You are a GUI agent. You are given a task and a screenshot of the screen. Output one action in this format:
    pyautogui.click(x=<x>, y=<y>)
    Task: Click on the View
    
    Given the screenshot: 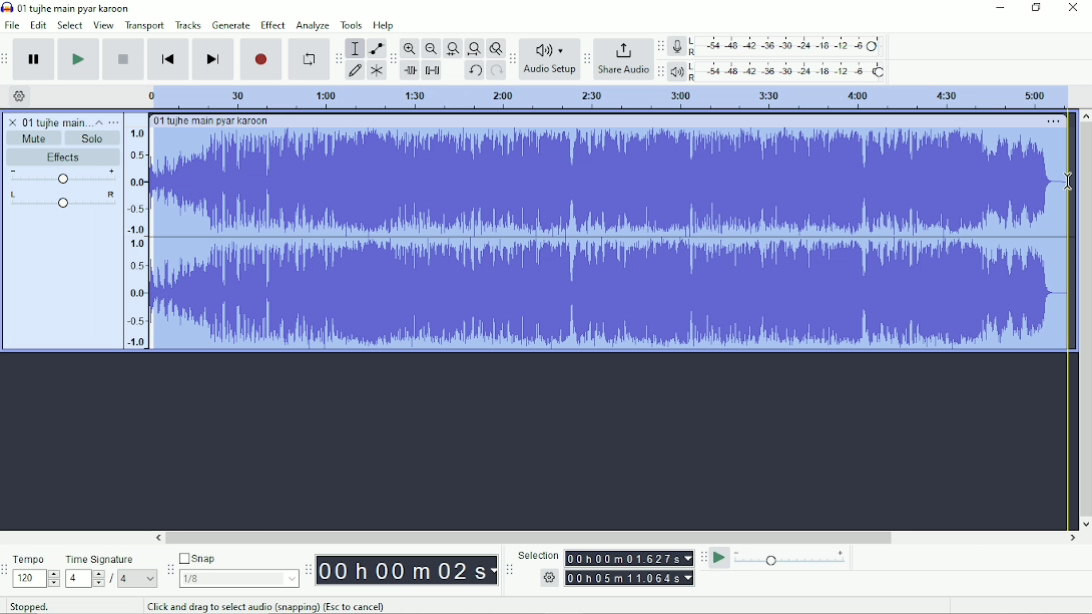 What is the action you would take?
    pyautogui.click(x=104, y=25)
    